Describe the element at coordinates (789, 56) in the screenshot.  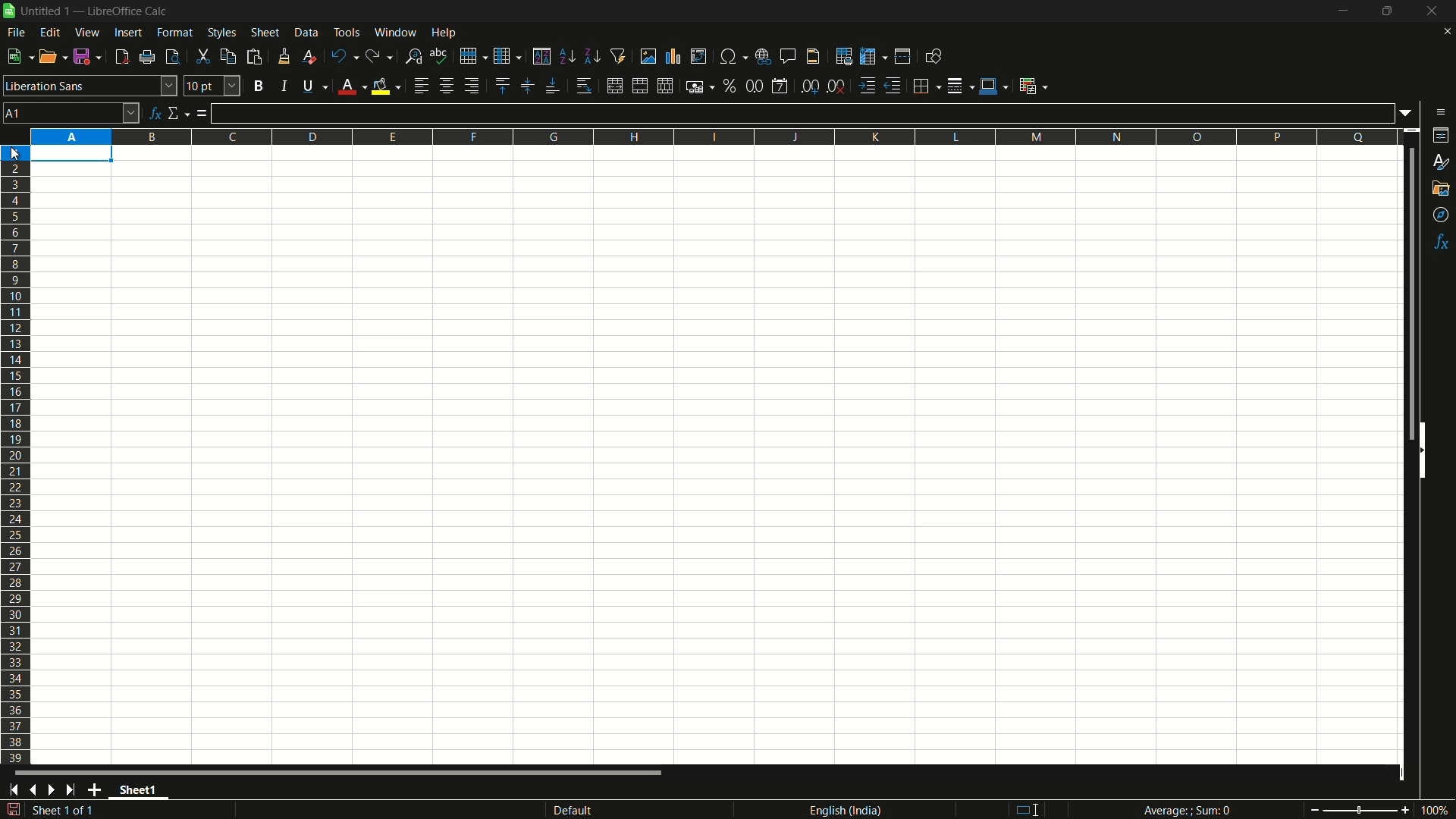
I see `insert comment` at that location.